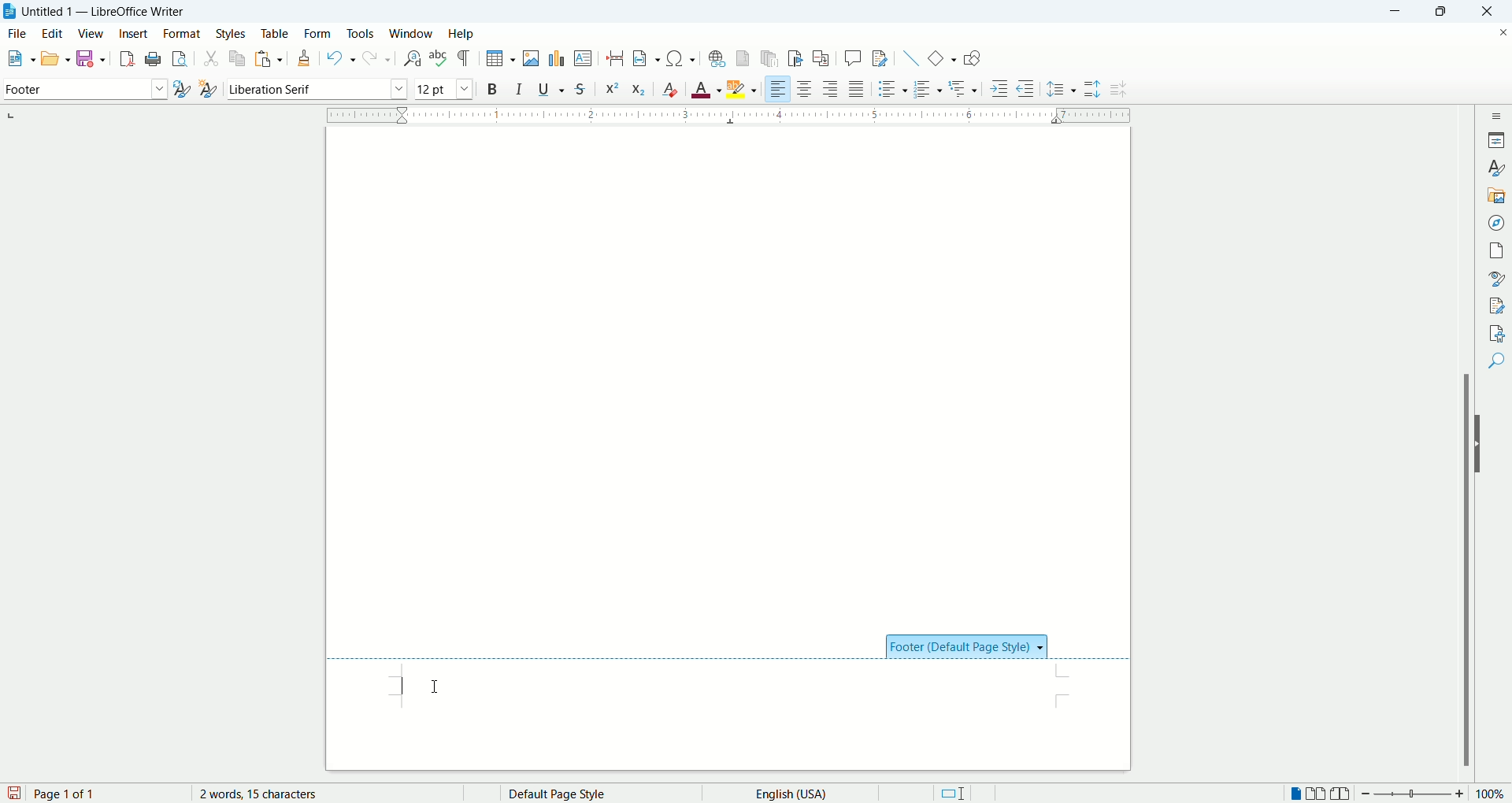 This screenshot has height=803, width=1512. I want to click on styles, so click(233, 33).